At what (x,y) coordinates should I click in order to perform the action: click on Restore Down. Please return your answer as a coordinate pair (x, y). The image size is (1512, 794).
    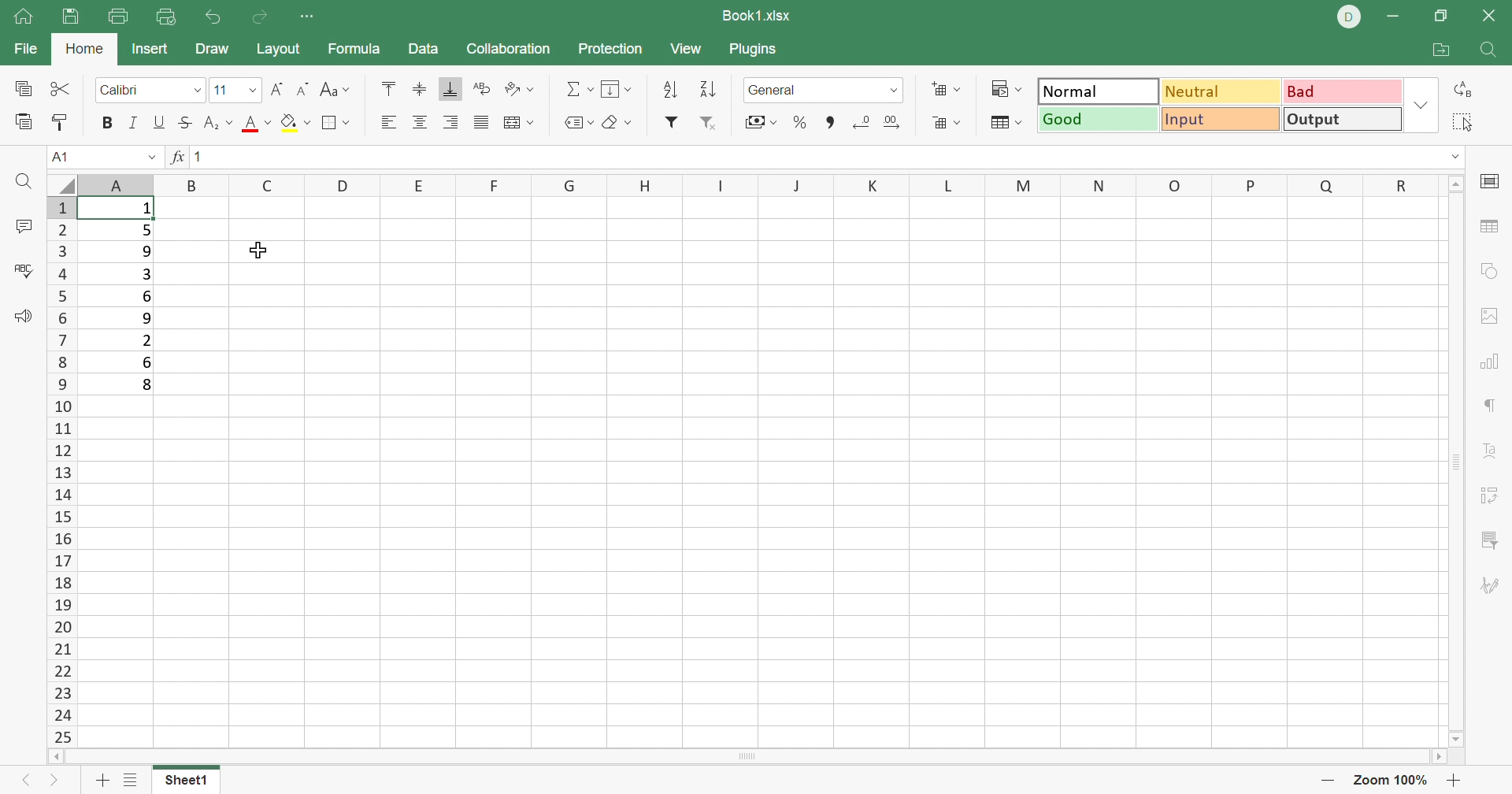
    Looking at the image, I should click on (1442, 17).